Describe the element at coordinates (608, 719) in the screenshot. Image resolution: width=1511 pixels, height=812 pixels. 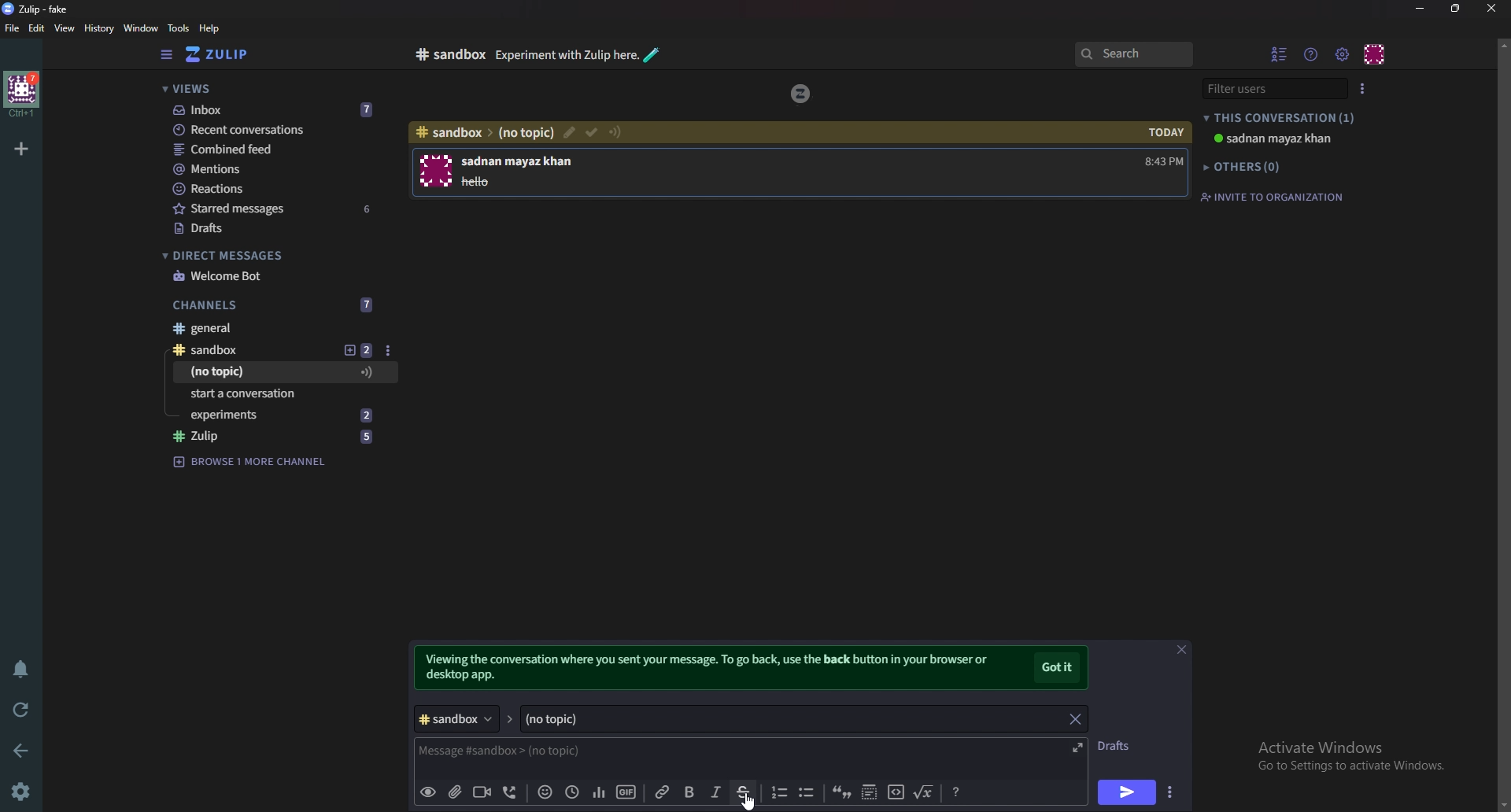
I see `Topic` at that location.